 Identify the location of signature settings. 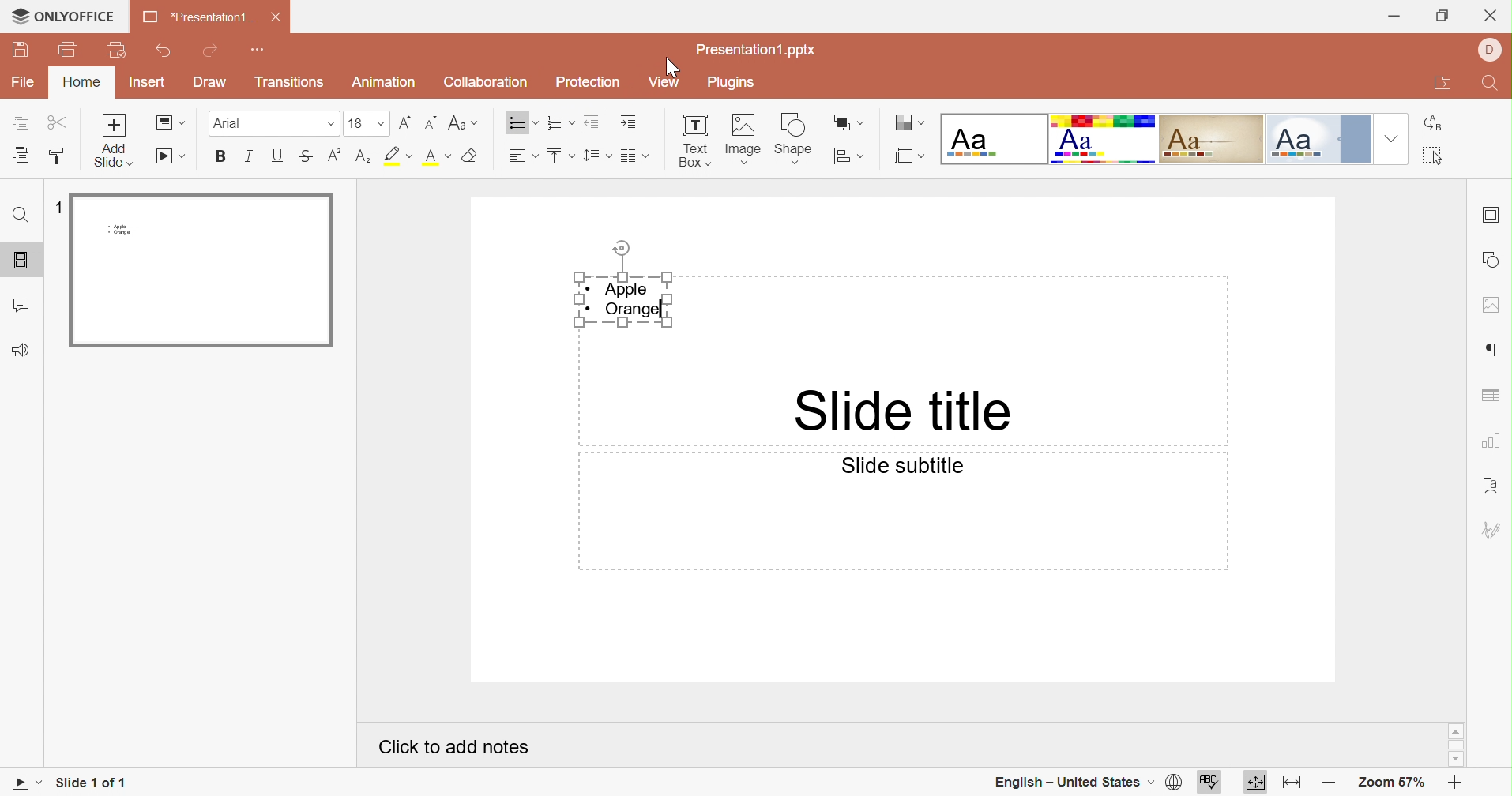
(1494, 531).